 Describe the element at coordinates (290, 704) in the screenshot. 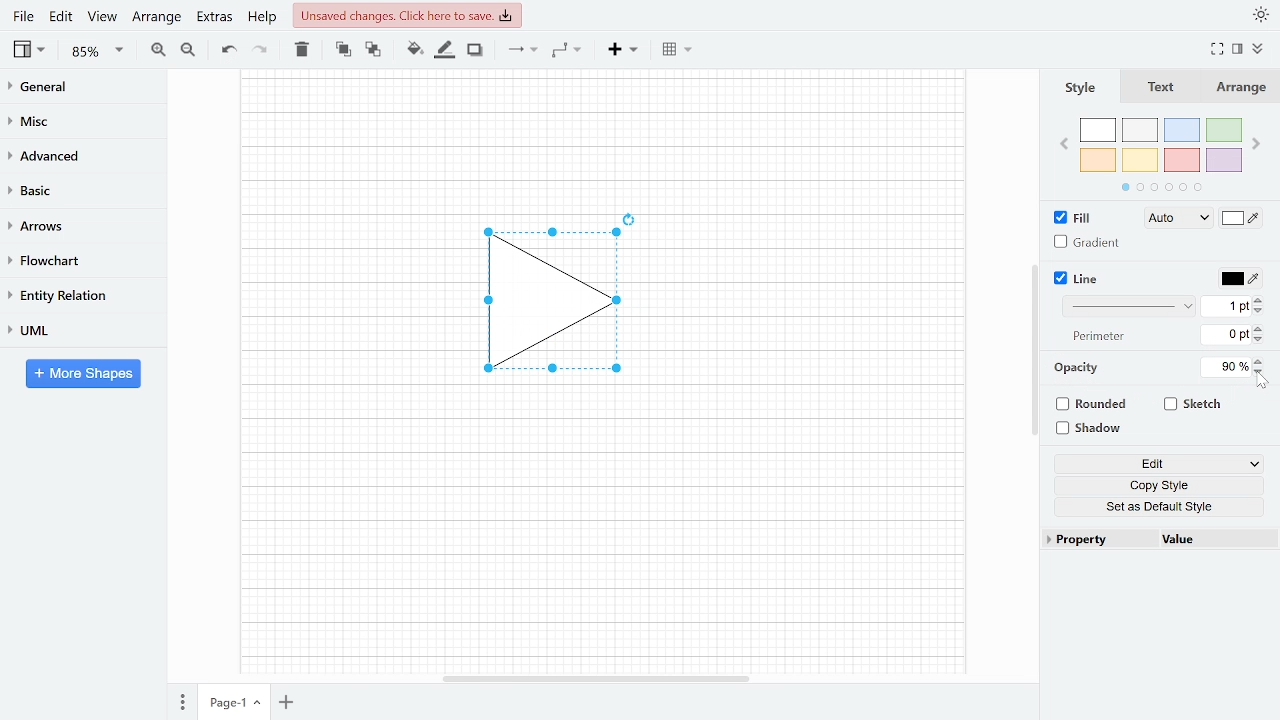

I see `Add page` at that location.